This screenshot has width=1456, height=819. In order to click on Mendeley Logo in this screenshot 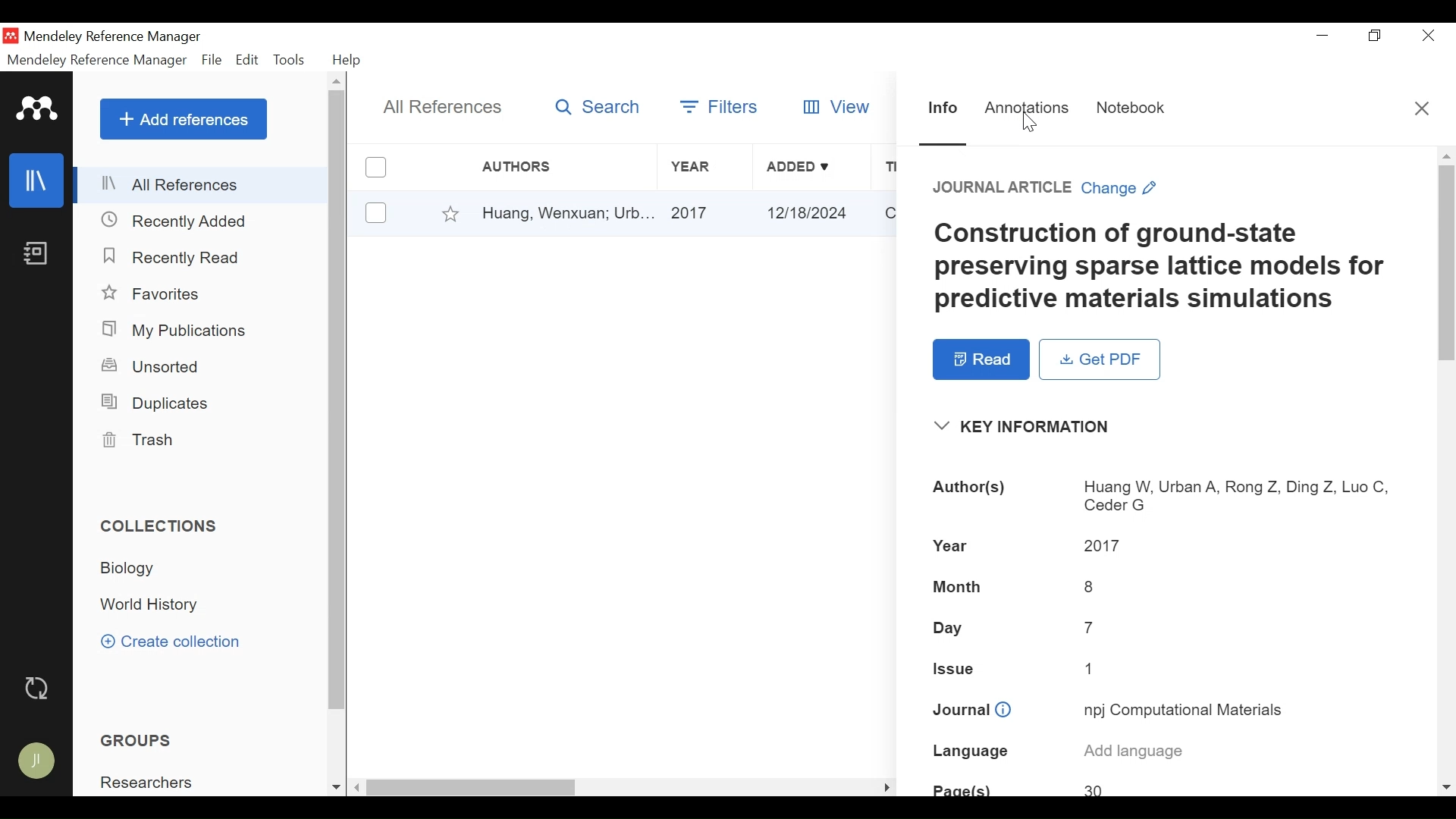, I will do `click(38, 108)`.